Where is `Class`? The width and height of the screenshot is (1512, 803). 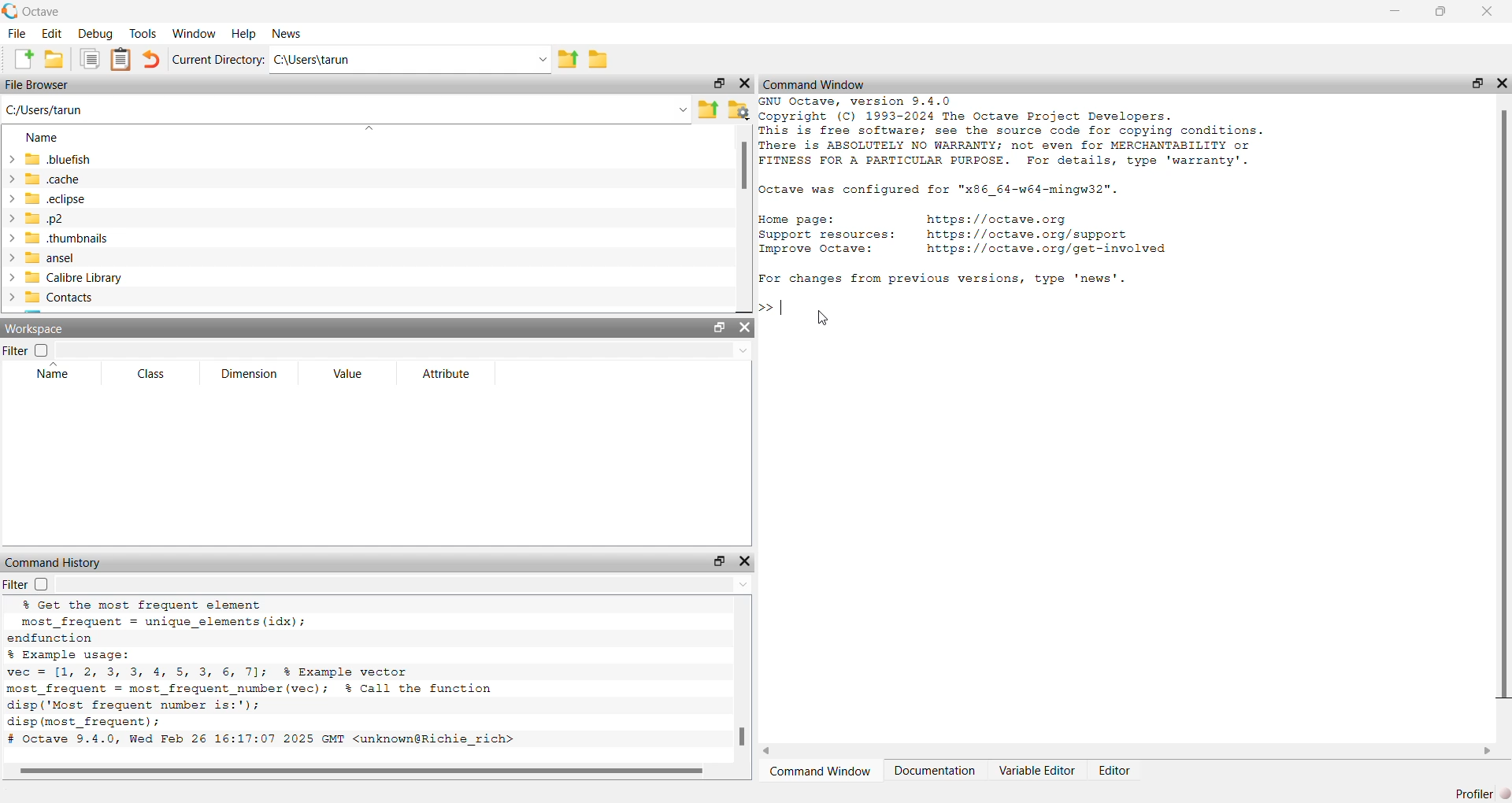 Class is located at coordinates (154, 374).